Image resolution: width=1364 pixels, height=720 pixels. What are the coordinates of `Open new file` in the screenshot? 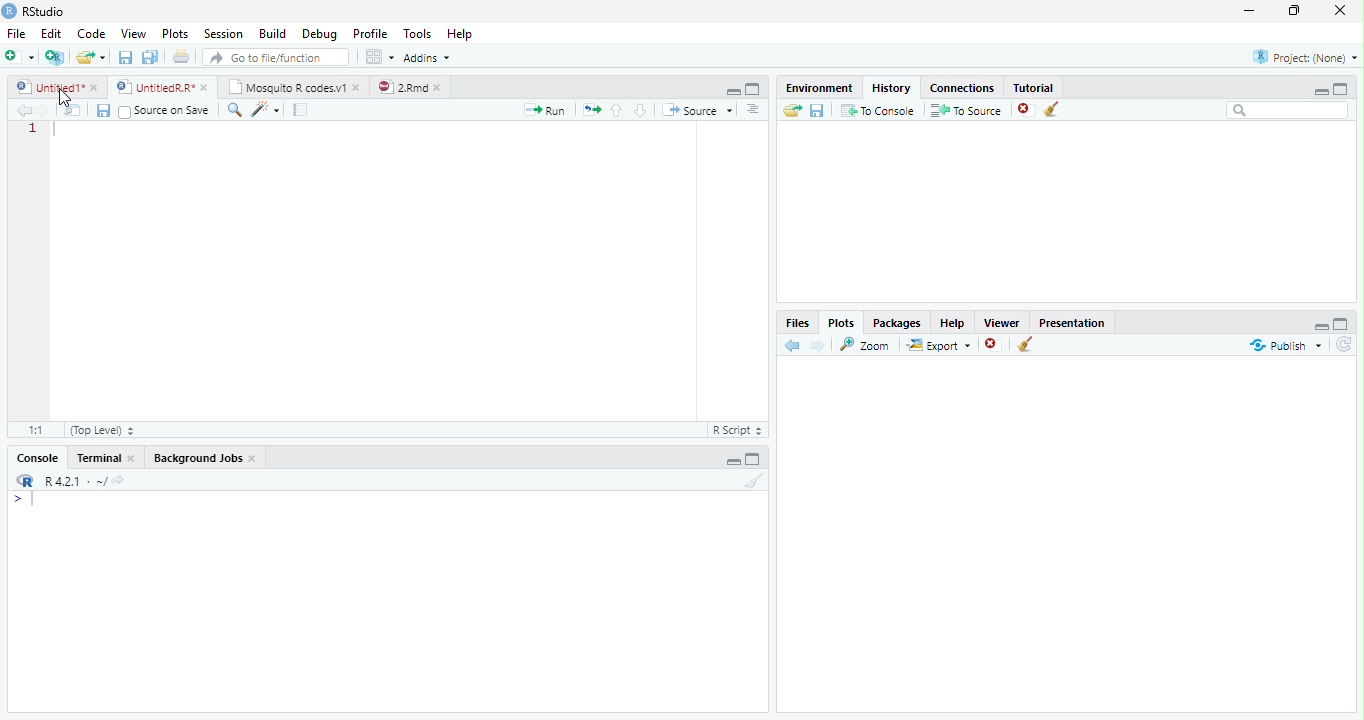 It's located at (19, 56).